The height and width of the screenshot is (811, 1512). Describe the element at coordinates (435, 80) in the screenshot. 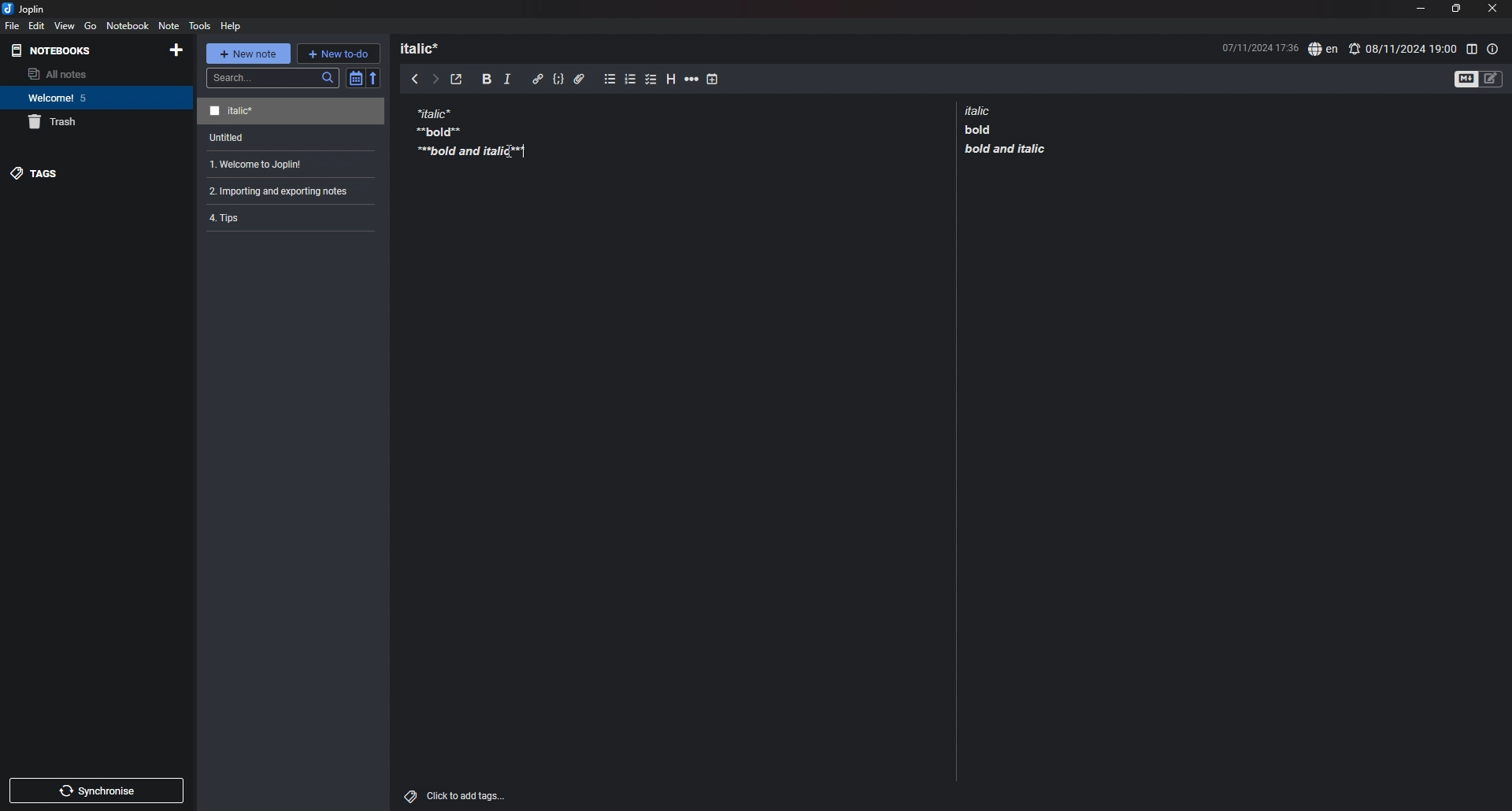

I see `next` at that location.